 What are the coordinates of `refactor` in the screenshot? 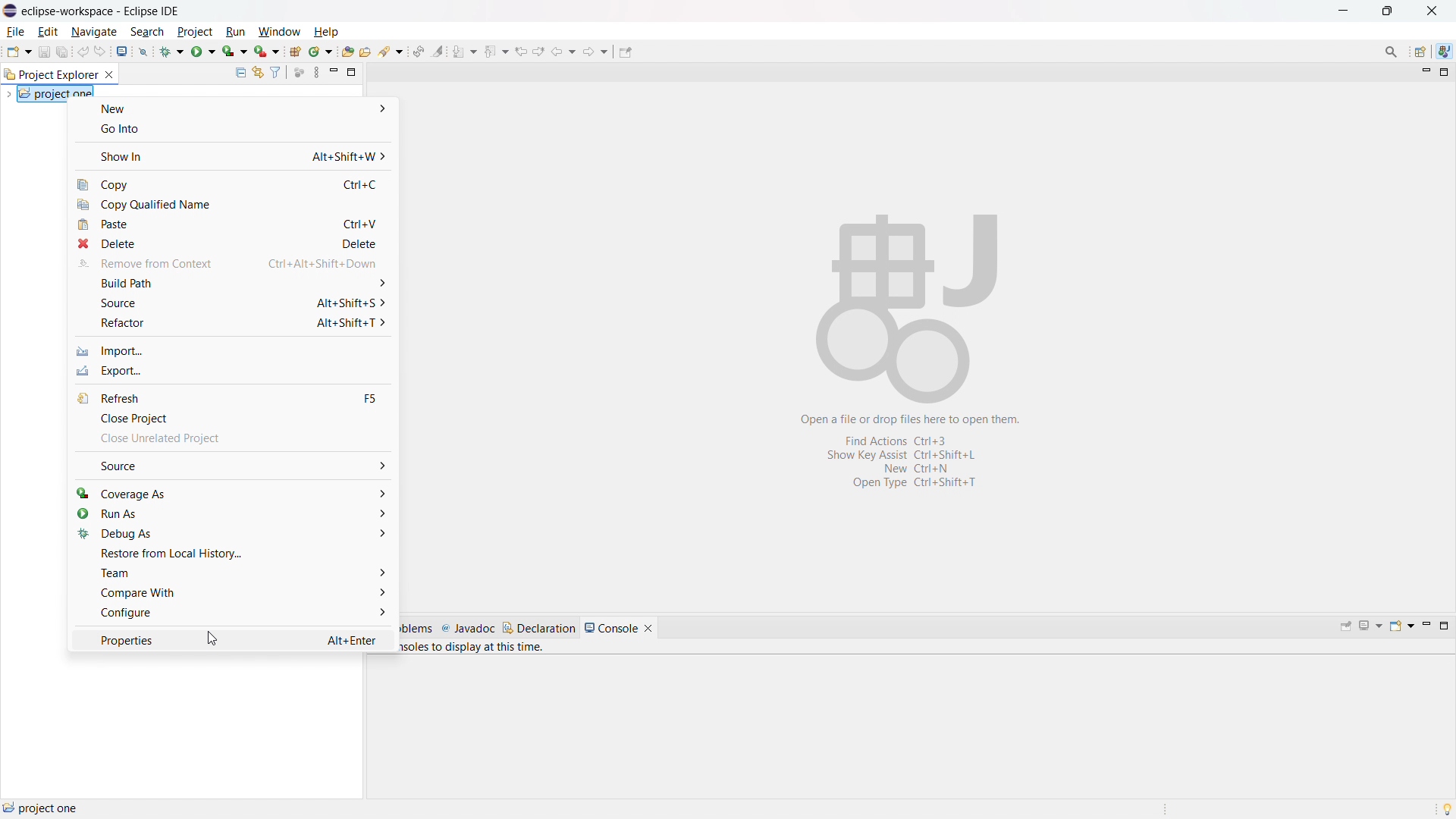 It's located at (230, 323).